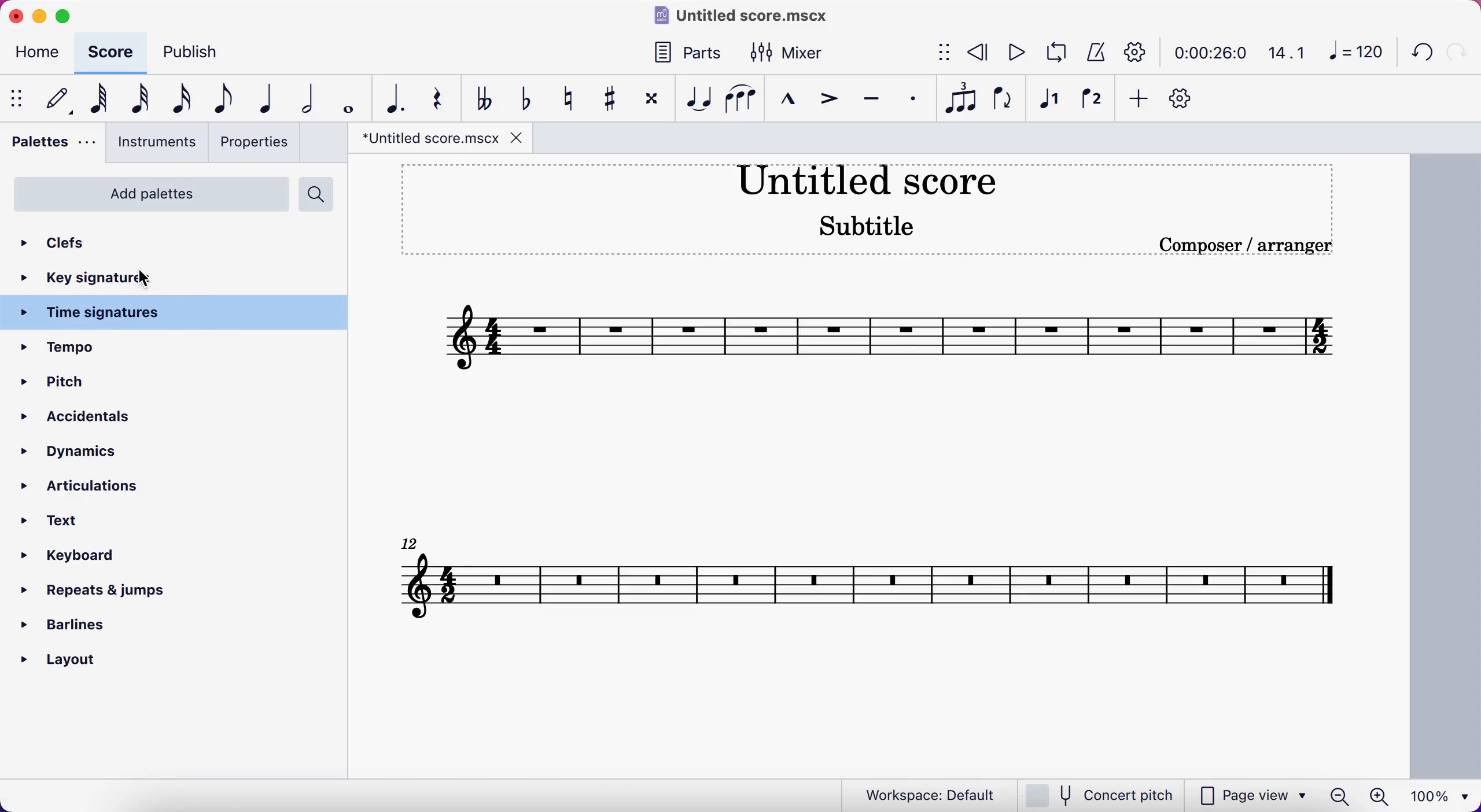 Image resolution: width=1481 pixels, height=812 pixels. What do you see at coordinates (651, 99) in the screenshot?
I see `toggle doble sharp` at bounding box center [651, 99].